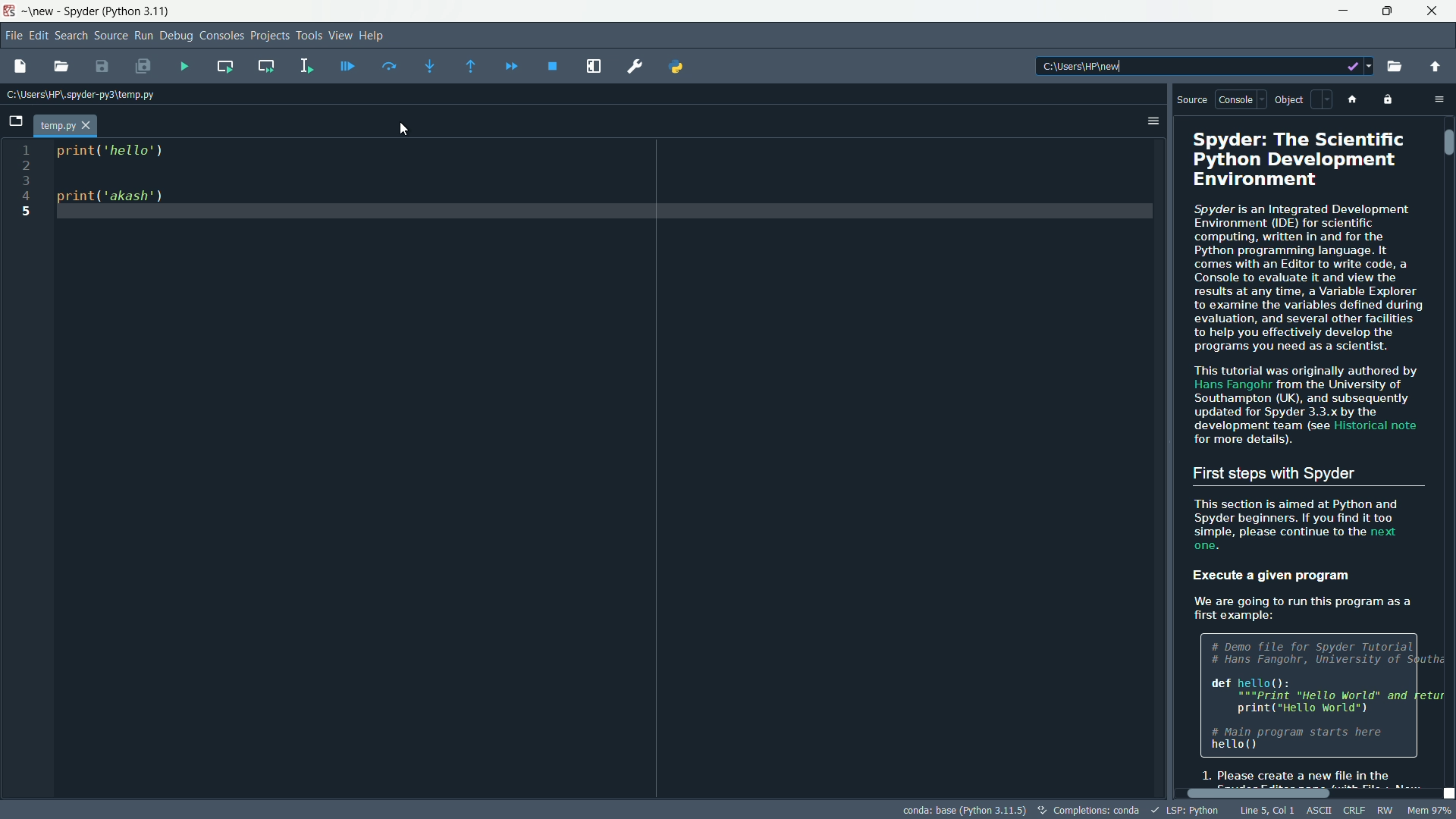  I want to click on conda:base(python 3.11.5), so click(965, 810).